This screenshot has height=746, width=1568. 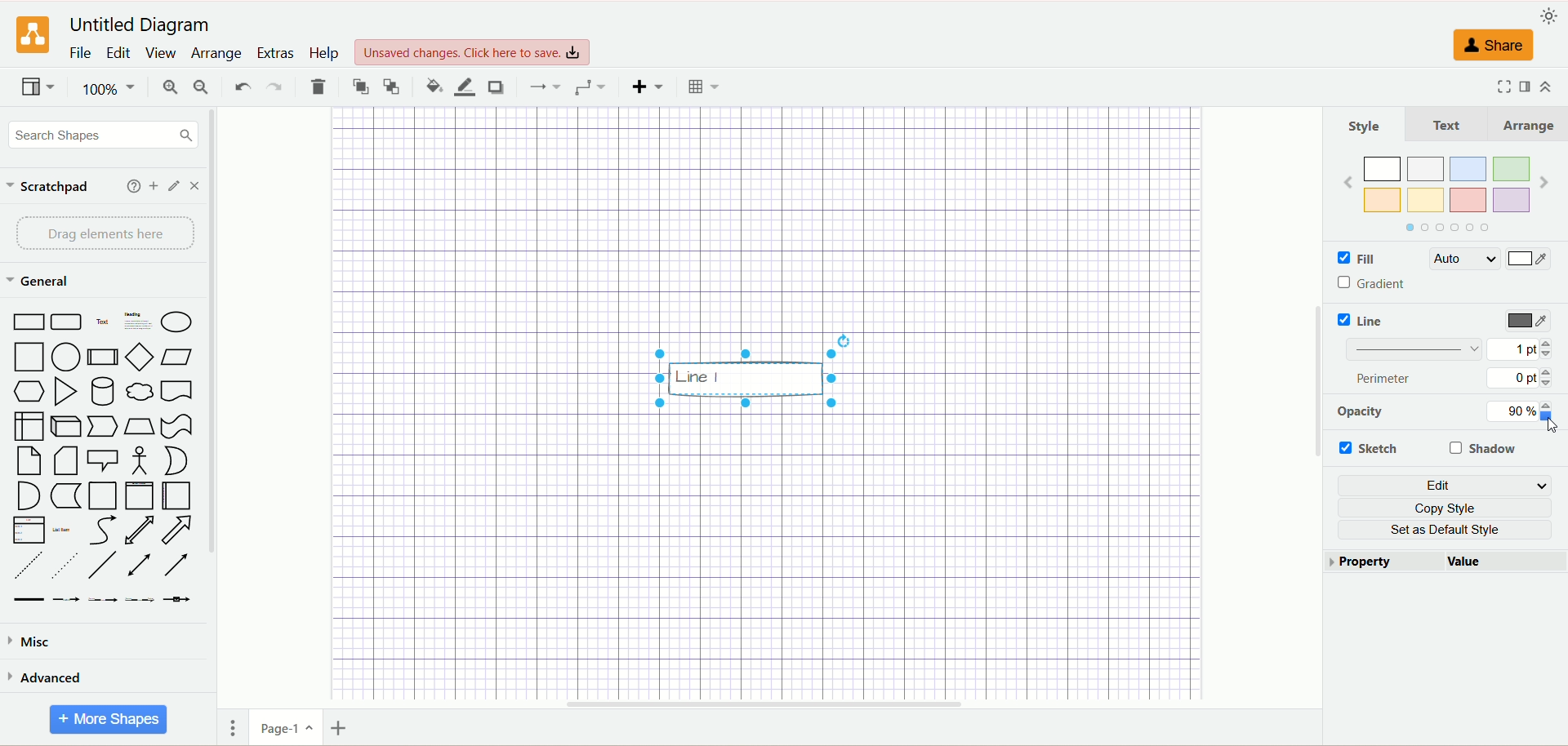 What do you see at coordinates (99, 134) in the screenshot?
I see `search shapes` at bounding box center [99, 134].